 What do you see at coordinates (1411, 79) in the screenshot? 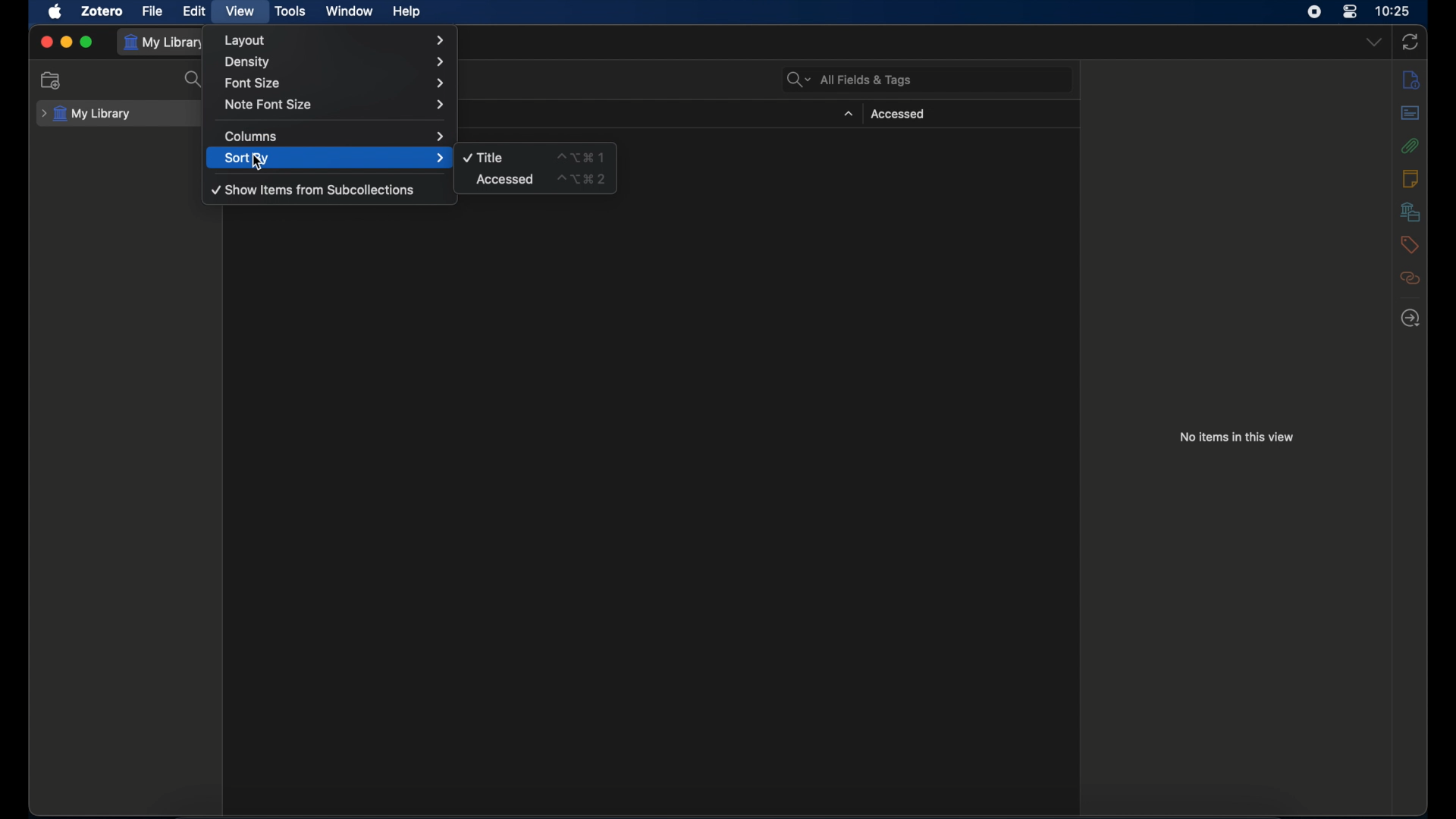
I see `notes` at bounding box center [1411, 79].